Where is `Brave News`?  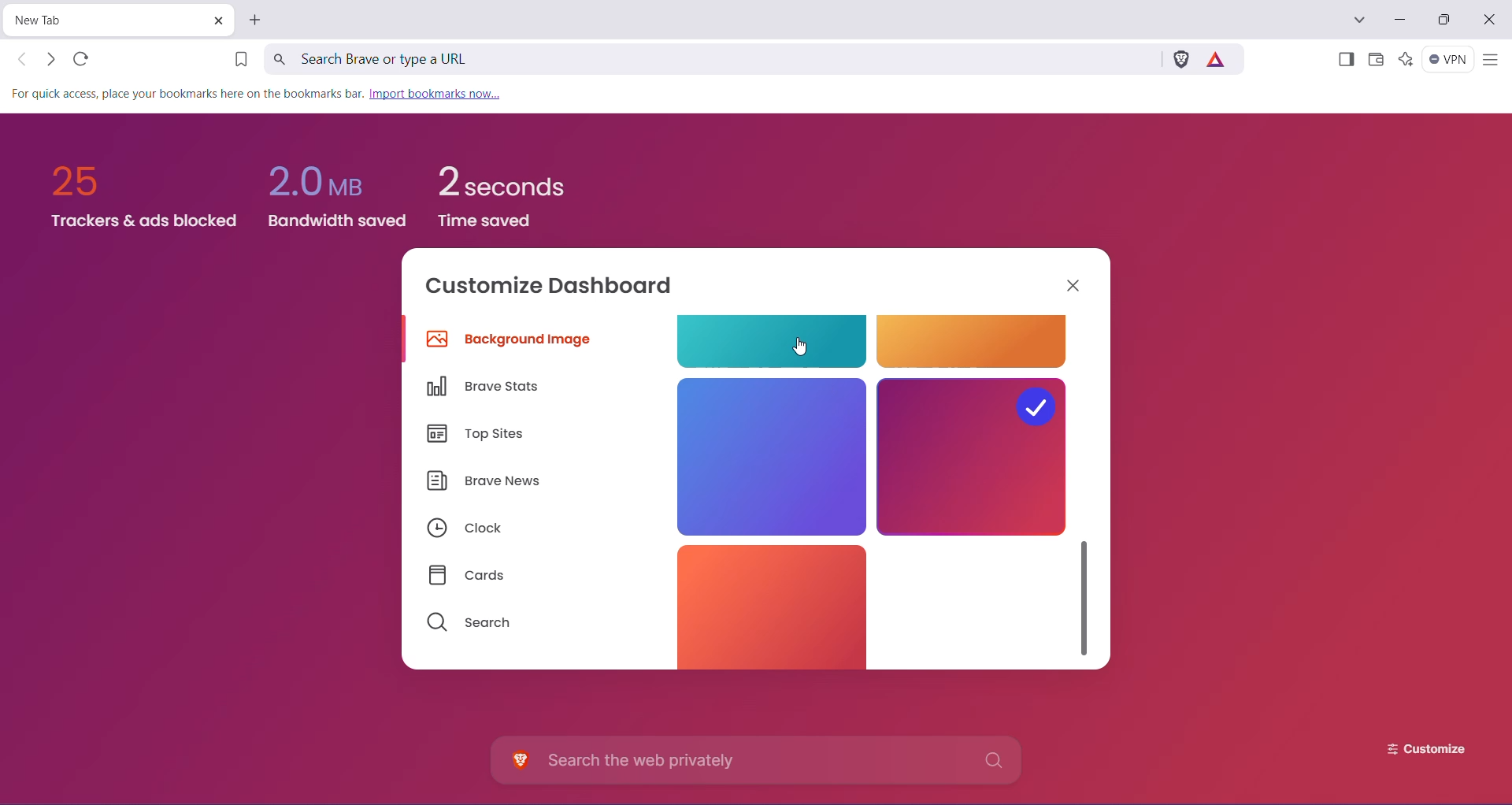 Brave News is located at coordinates (484, 483).